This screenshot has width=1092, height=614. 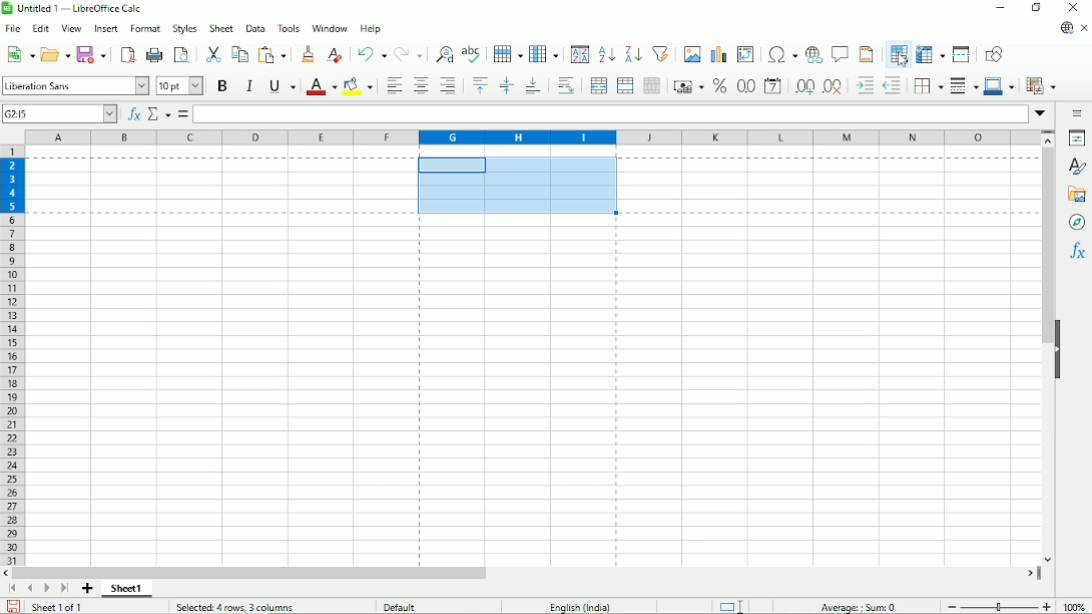 What do you see at coordinates (506, 86) in the screenshot?
I see `Center vertically` at bounding box center [506, 86].